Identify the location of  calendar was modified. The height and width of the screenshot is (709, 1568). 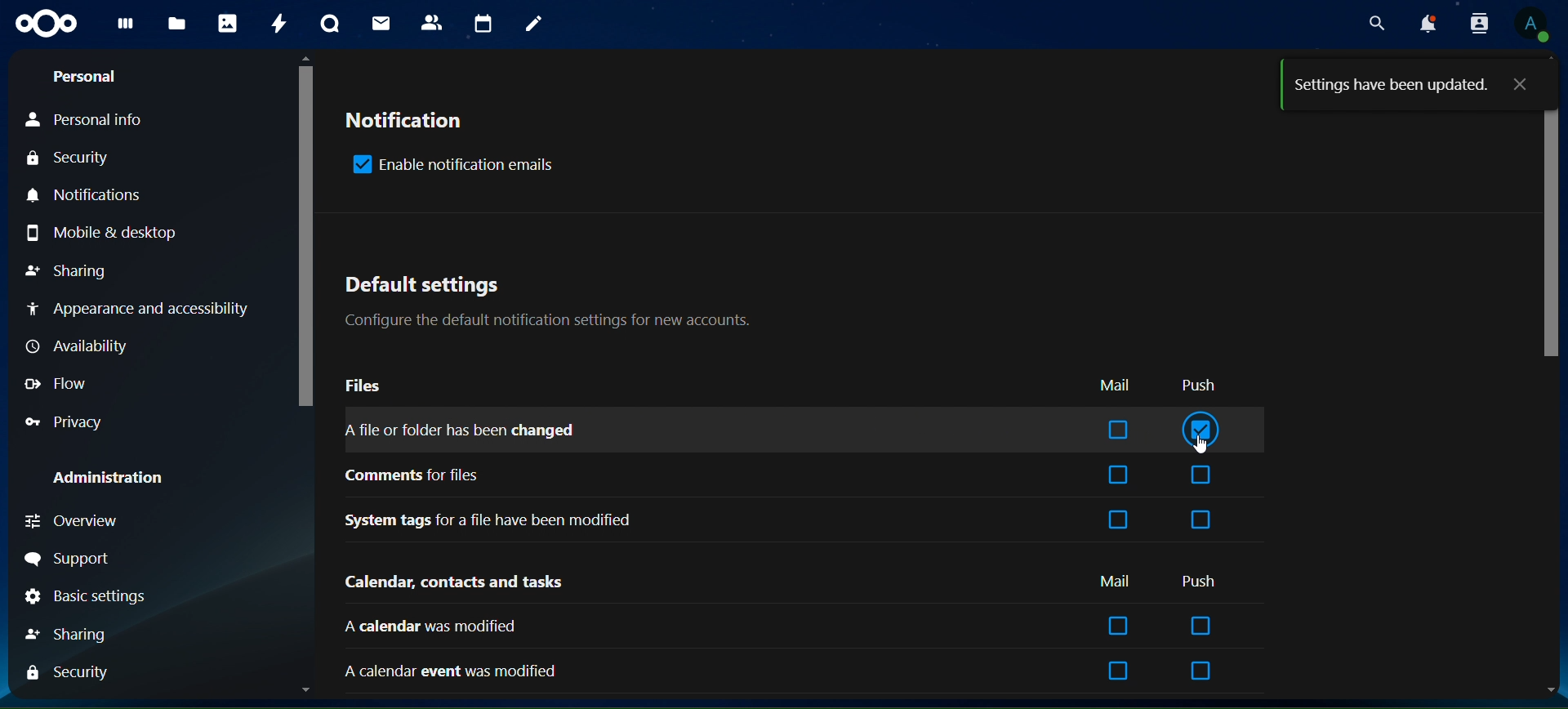
(431, 626).